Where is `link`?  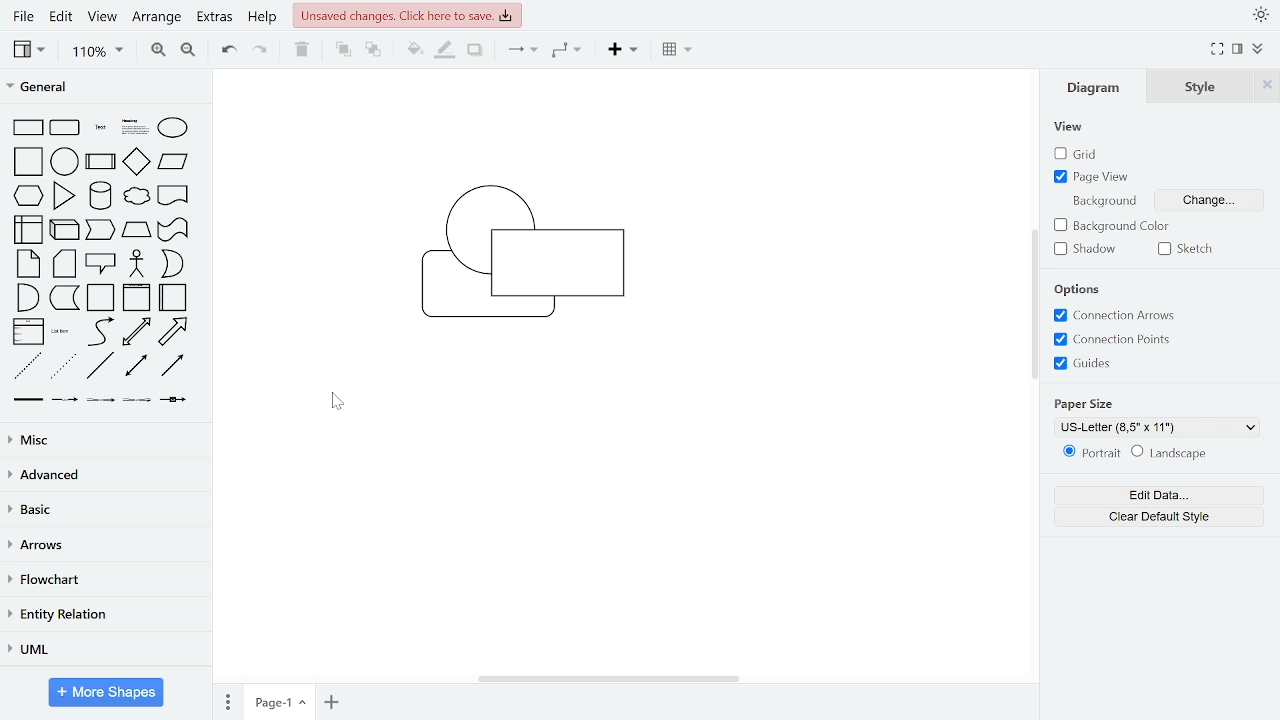
link is located at coordinates (26, 399).